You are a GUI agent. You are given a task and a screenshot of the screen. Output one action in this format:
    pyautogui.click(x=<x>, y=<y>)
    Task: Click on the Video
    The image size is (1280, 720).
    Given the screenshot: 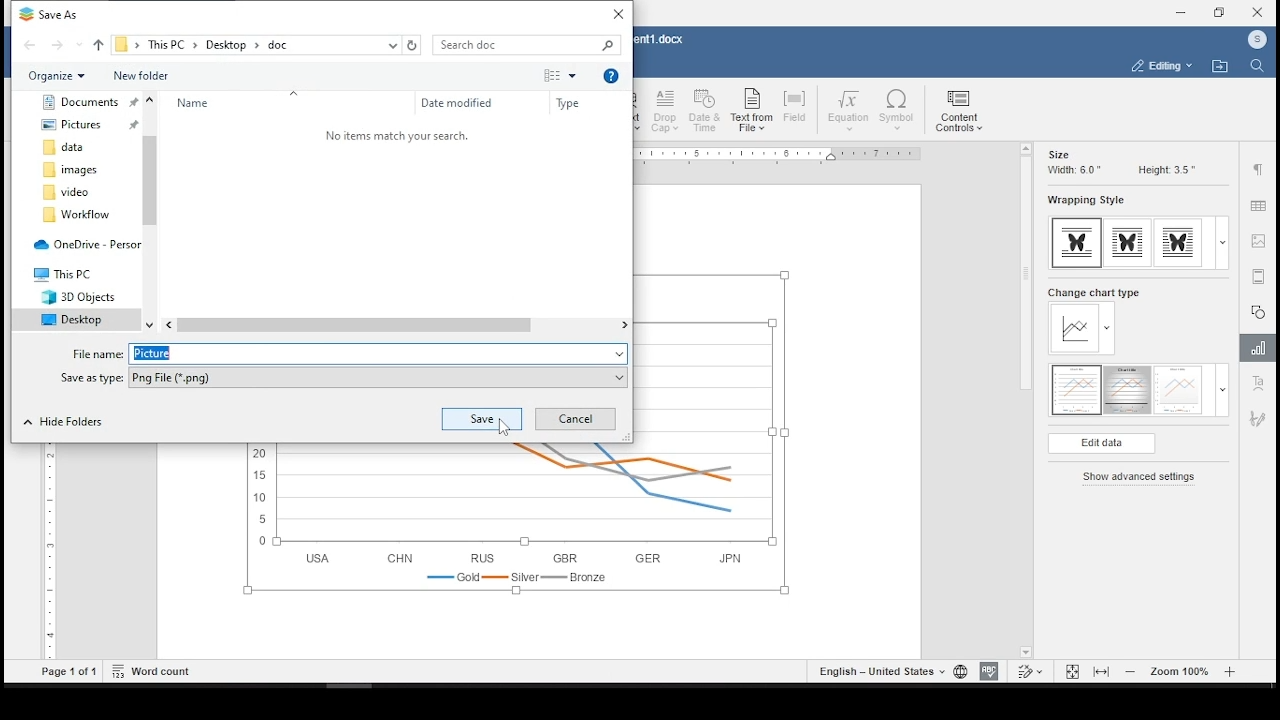 What is the action you would take?
    pyautogui.click(x=79, y=192)
    